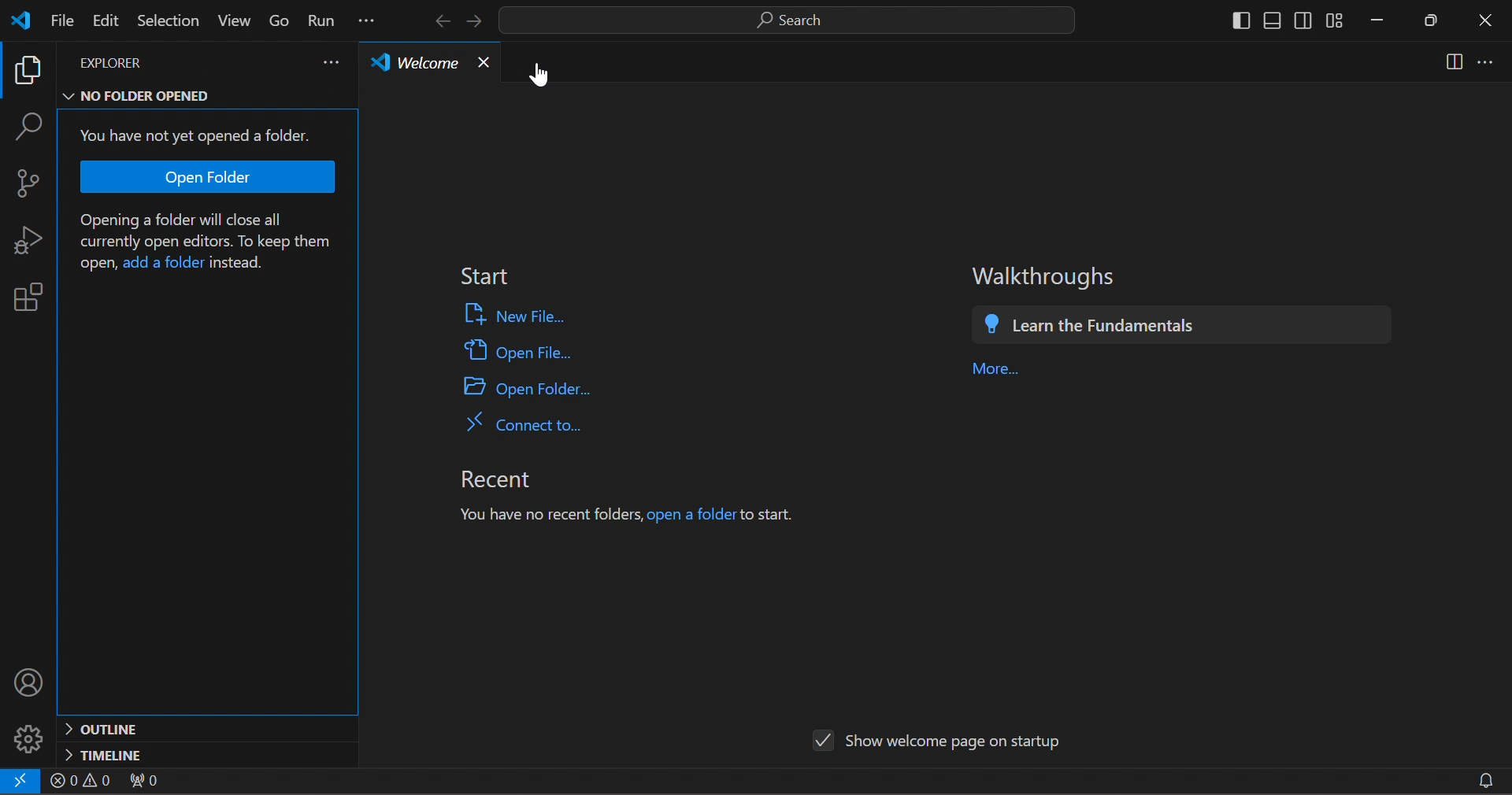 The height and width of the screenshot is (795, 1512). Describe the element at coordinates (33, 124) in the screenshot. I see `find` at that location.